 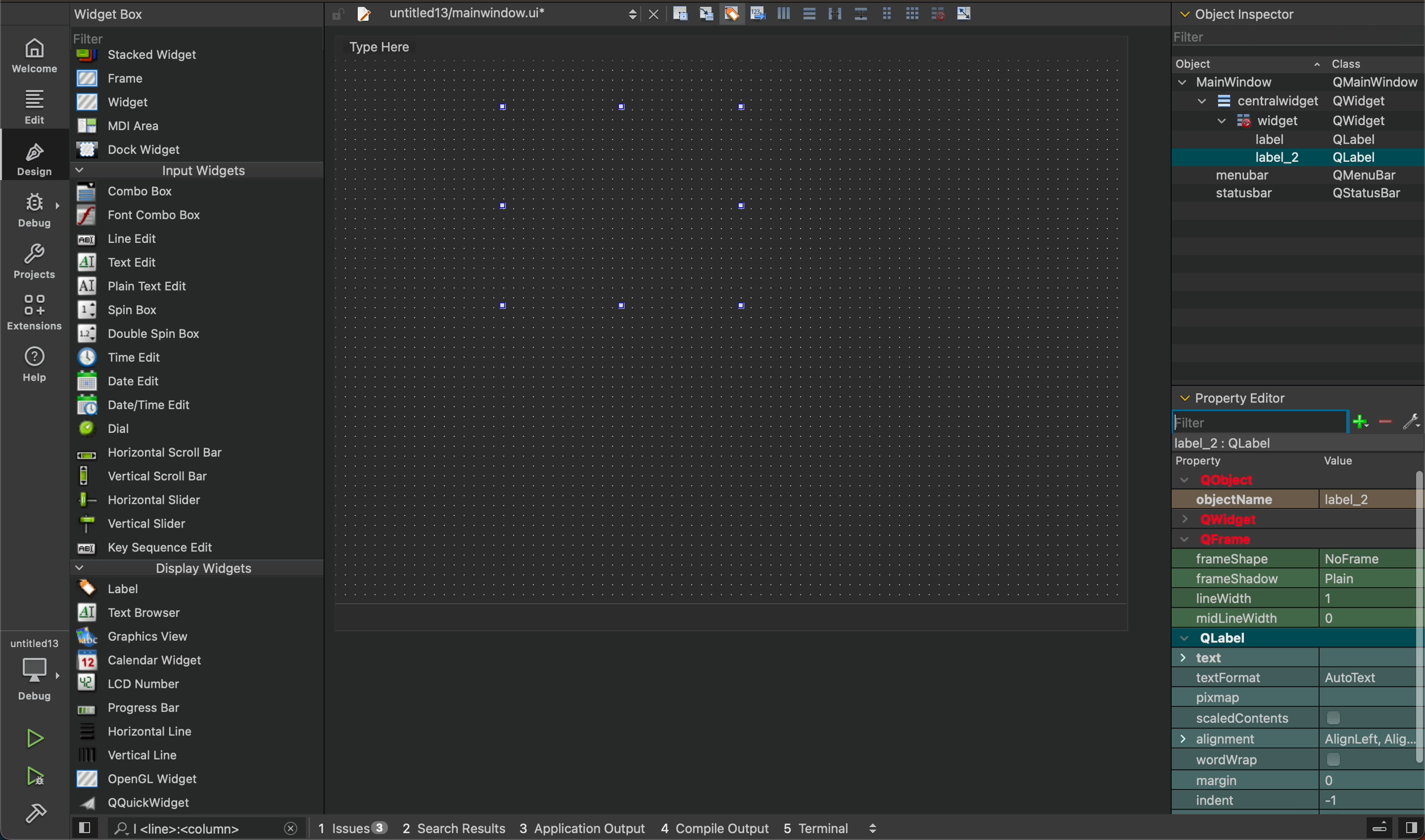 I want to click on label widget, so click(x=626, y=207).